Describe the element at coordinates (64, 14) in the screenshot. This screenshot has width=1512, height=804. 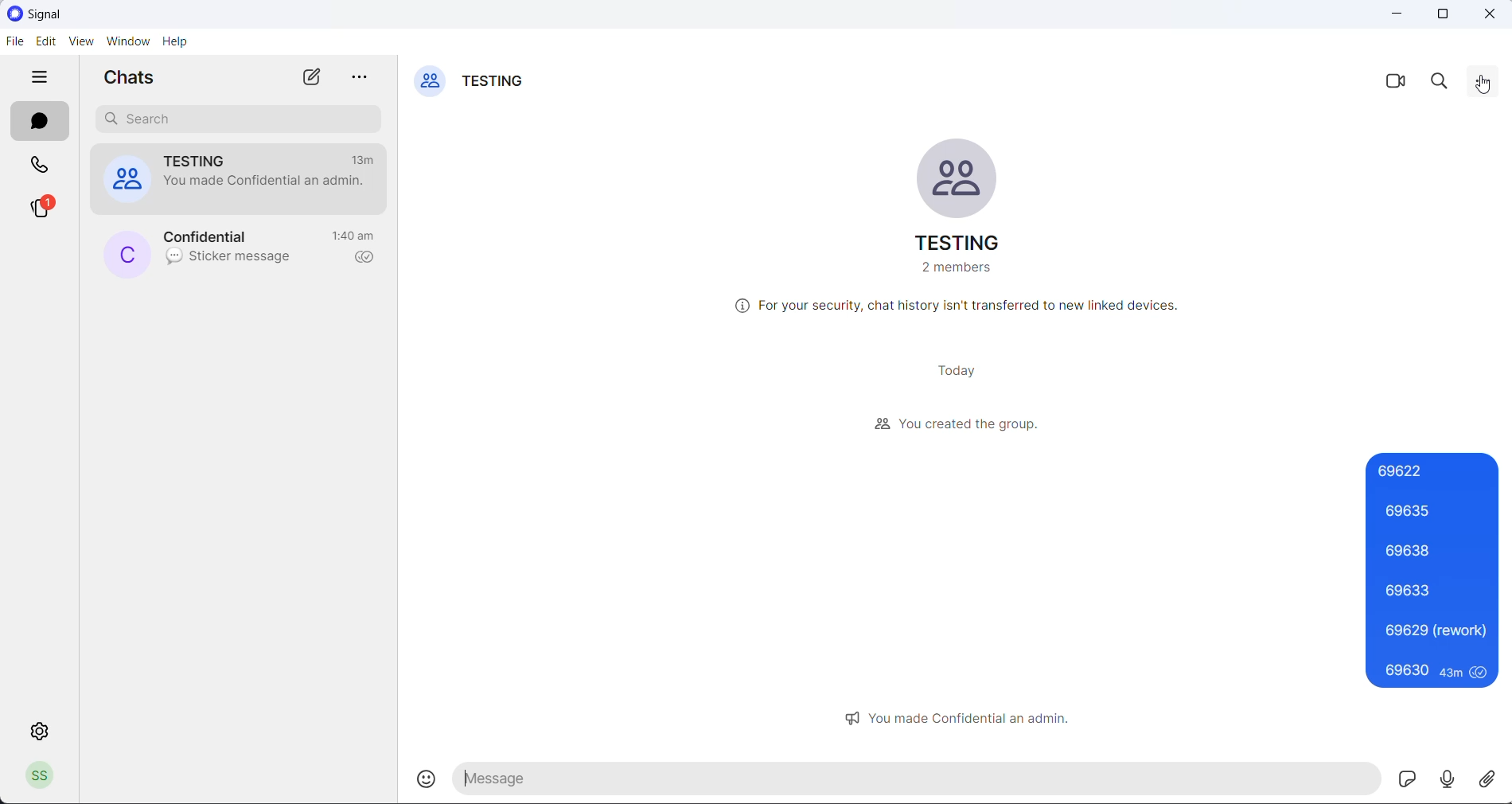
I see `application logo and name` at that location.